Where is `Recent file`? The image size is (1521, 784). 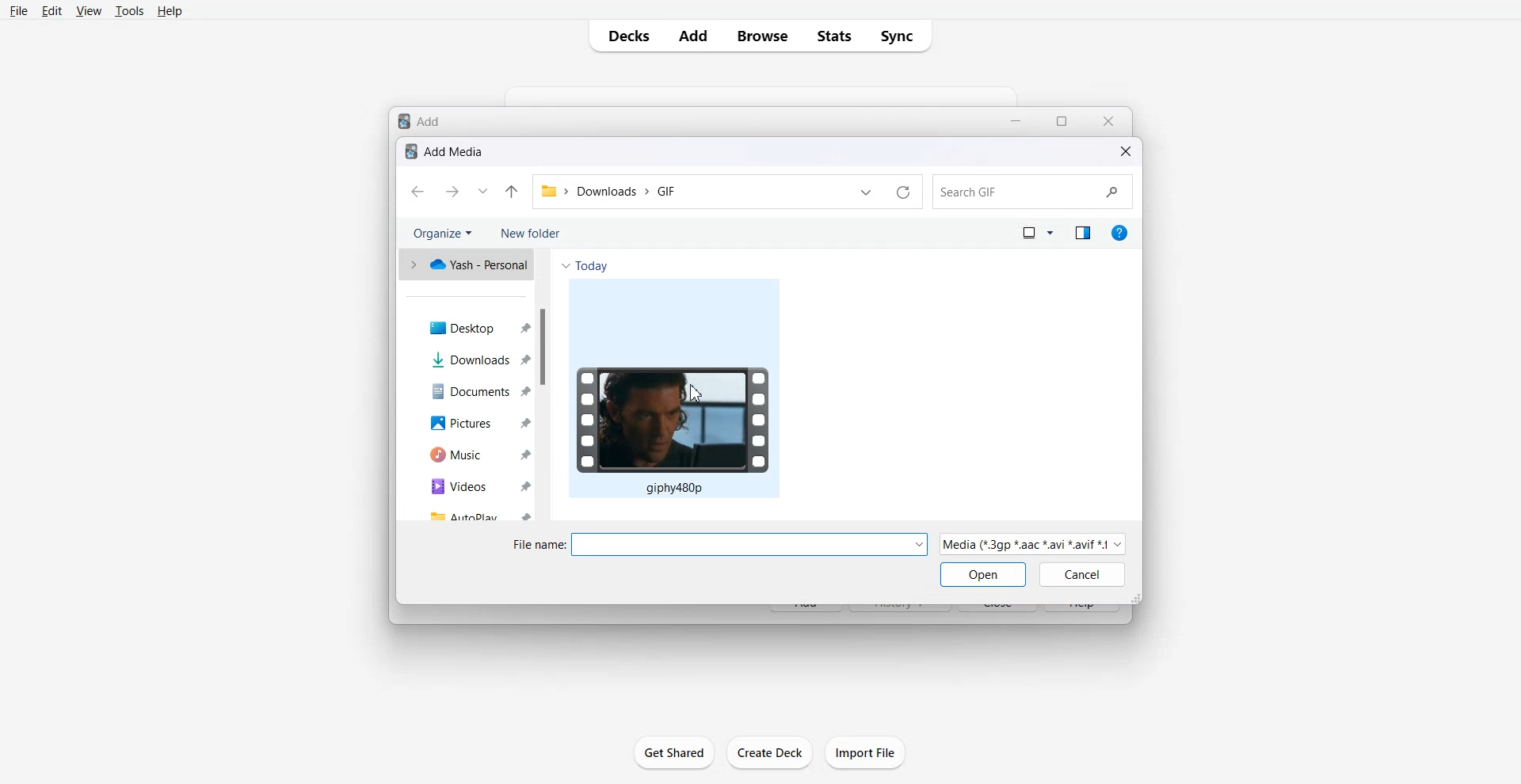 Recent file is located at coordinates (483, 193).